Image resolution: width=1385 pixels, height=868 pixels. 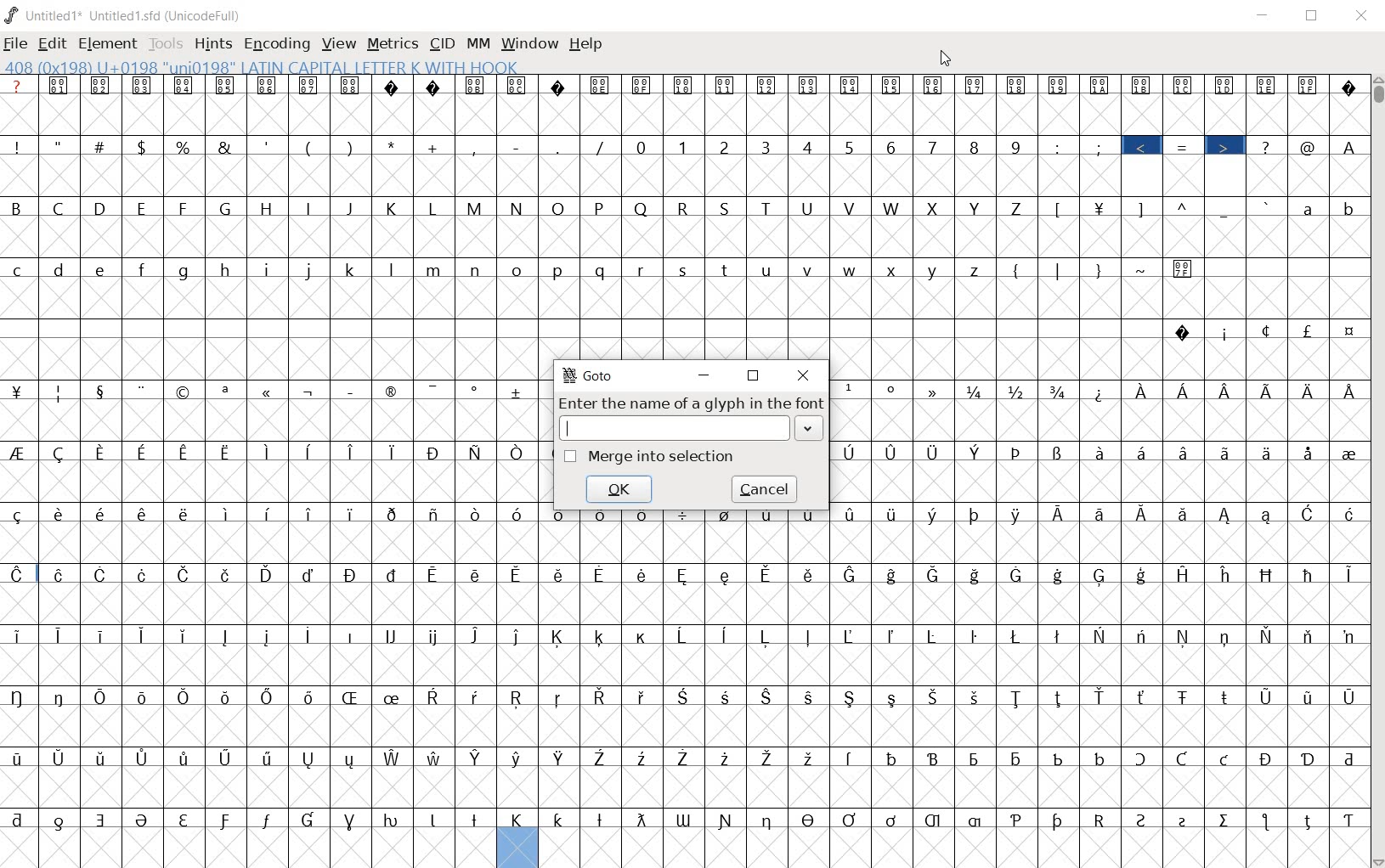 I want to click on special symbols, so click(x=1267, y=330).